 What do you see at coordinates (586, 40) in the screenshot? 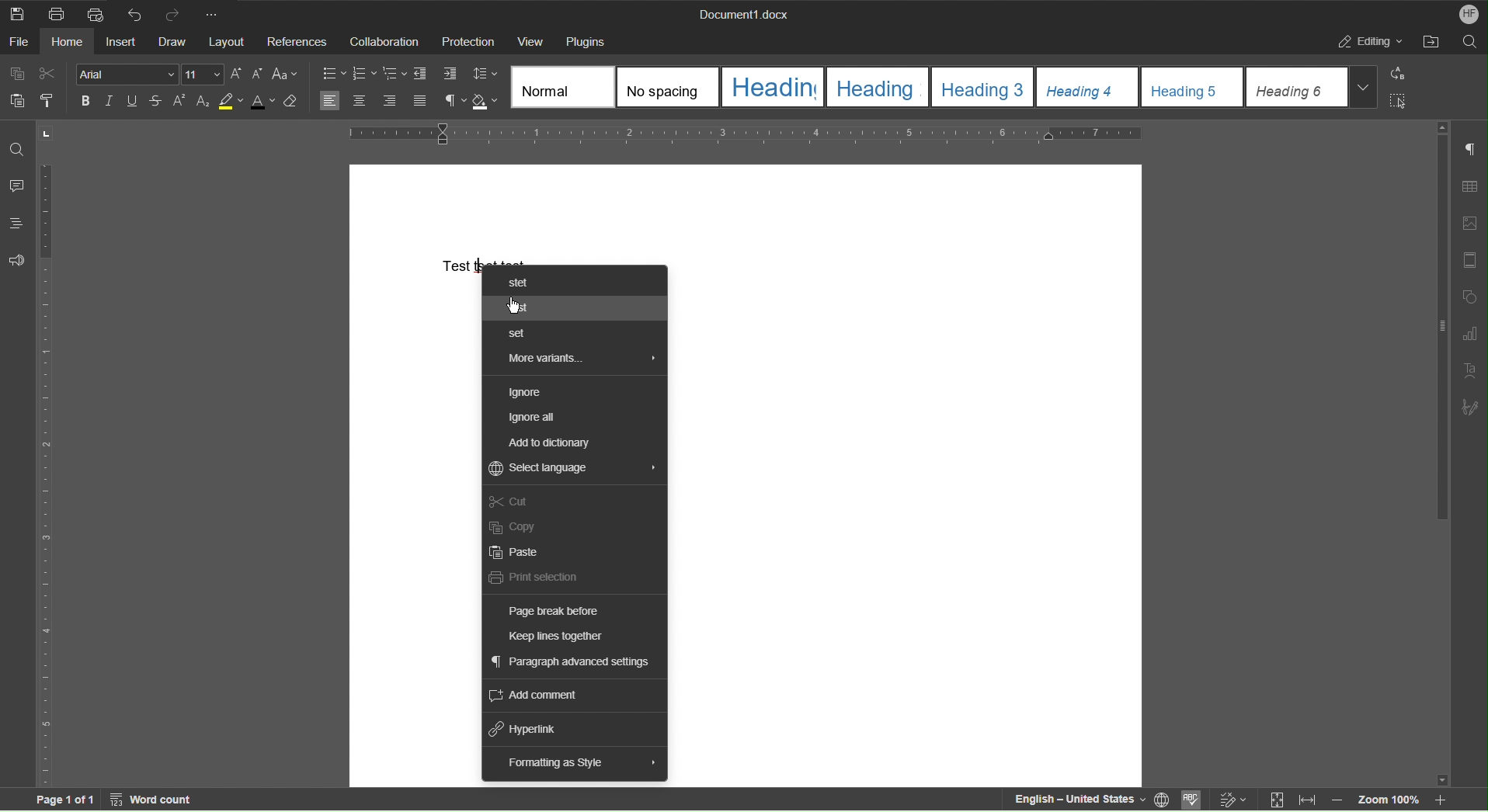
I see `Plugins` at bounding box center [586, 40].